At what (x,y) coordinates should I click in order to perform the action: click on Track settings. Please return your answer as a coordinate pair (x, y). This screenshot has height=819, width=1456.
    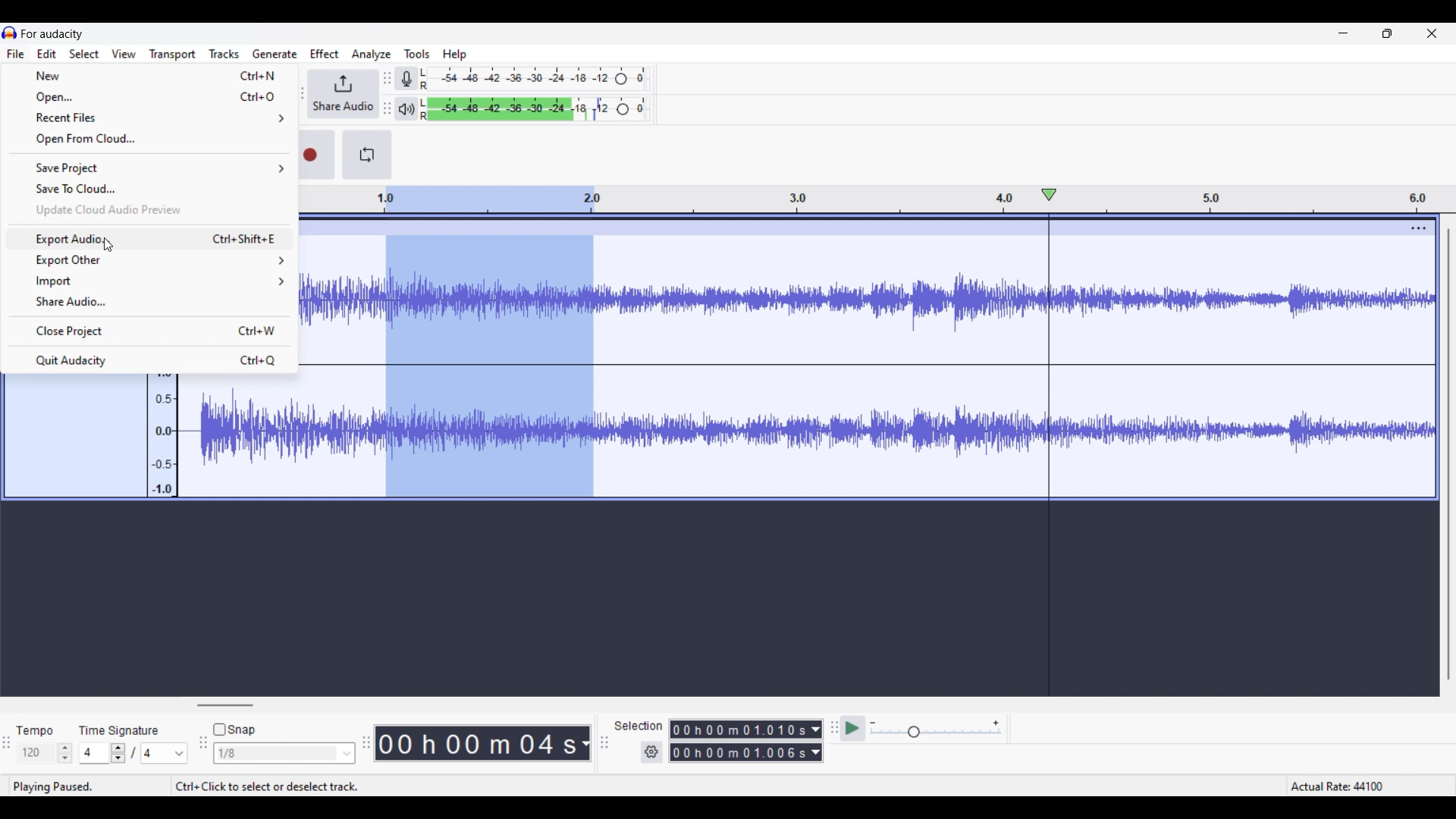
    Looking at the image, I should click on (1419, 228).